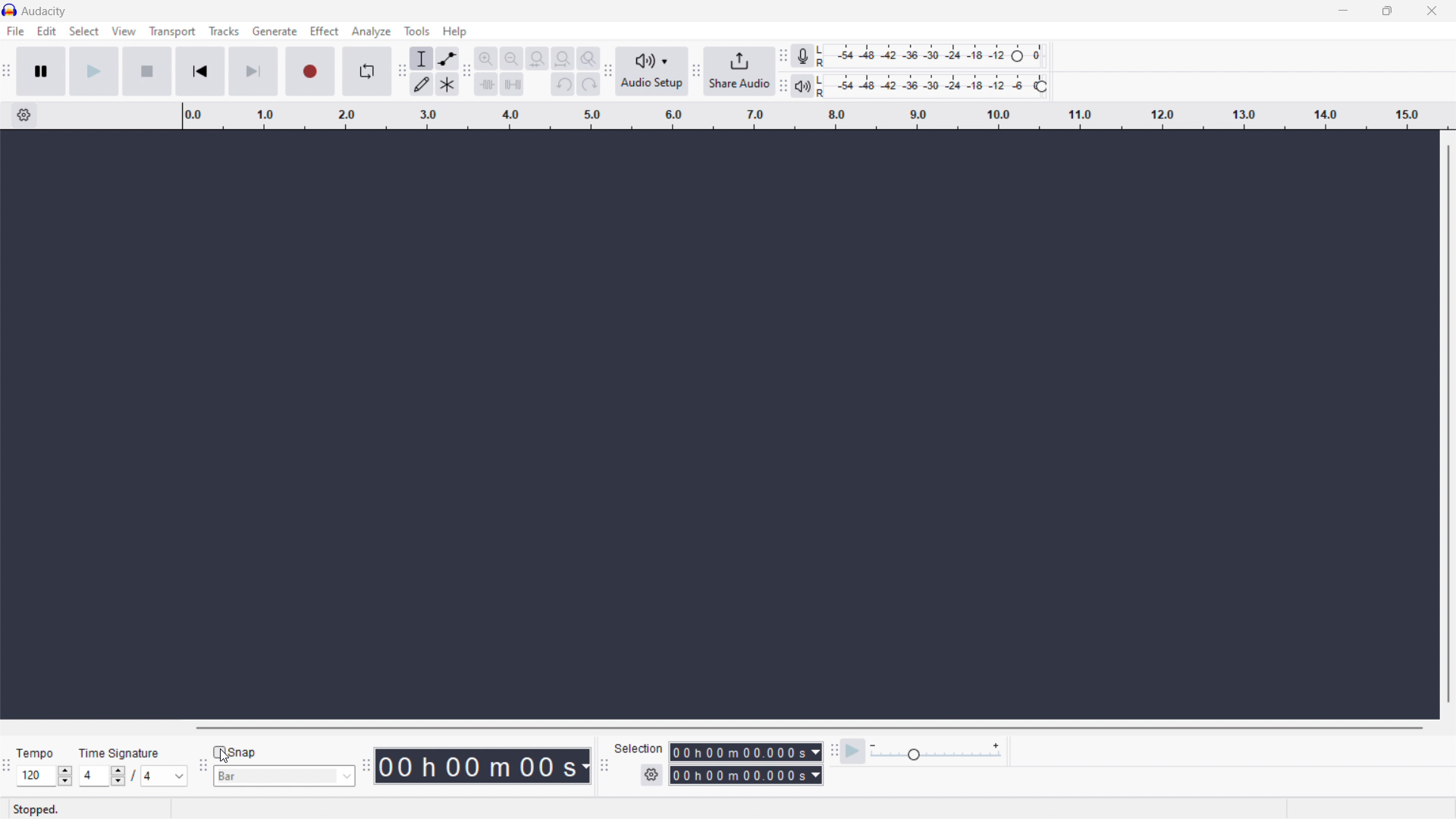 Image resolution: width=1456 pixels, height=819 pixels. I want to click on selection toolbar, so click(605, 766).